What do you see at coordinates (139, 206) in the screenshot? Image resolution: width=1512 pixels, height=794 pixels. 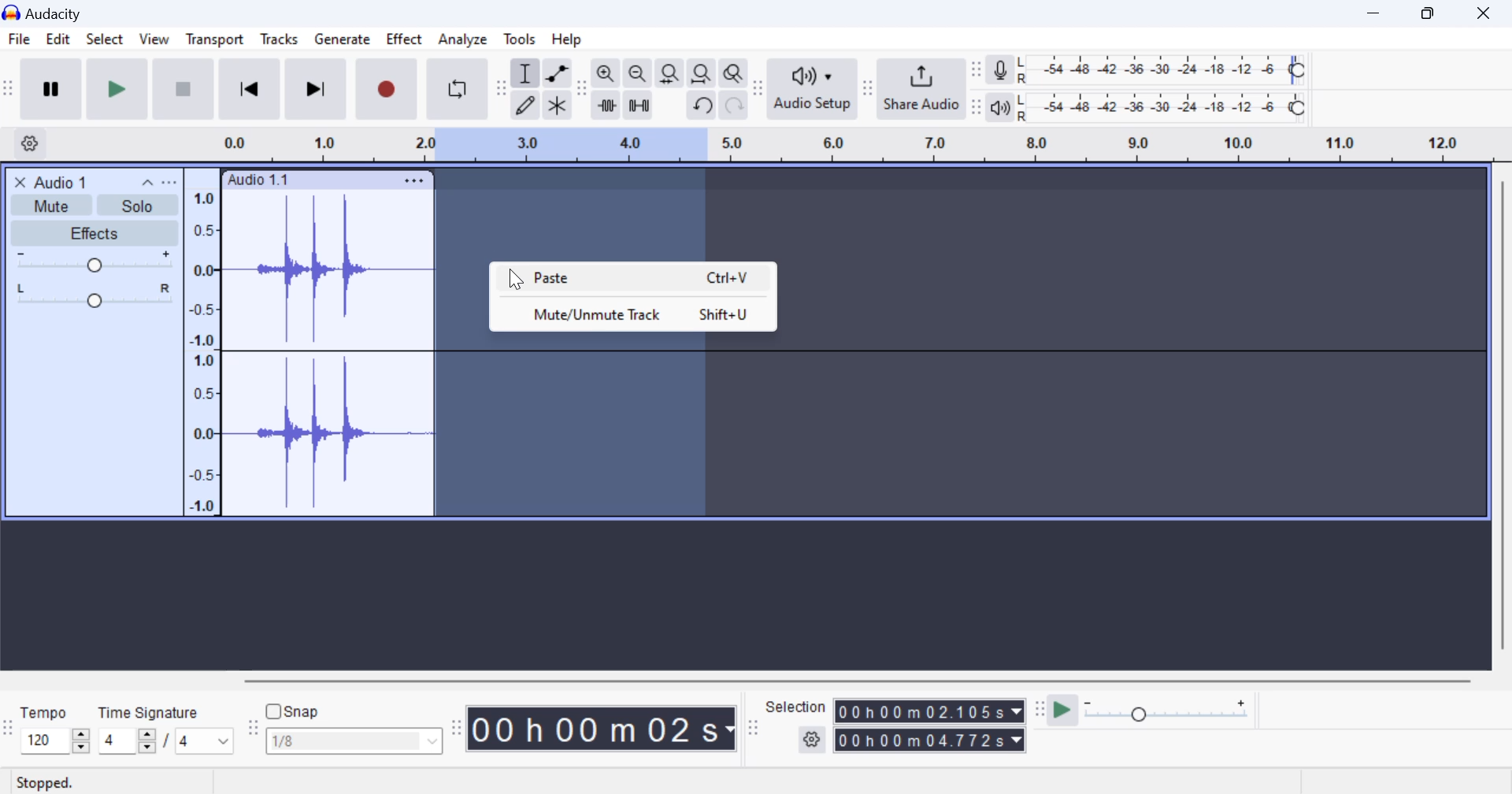 I see `Solo` at bounding box center [139, 206].